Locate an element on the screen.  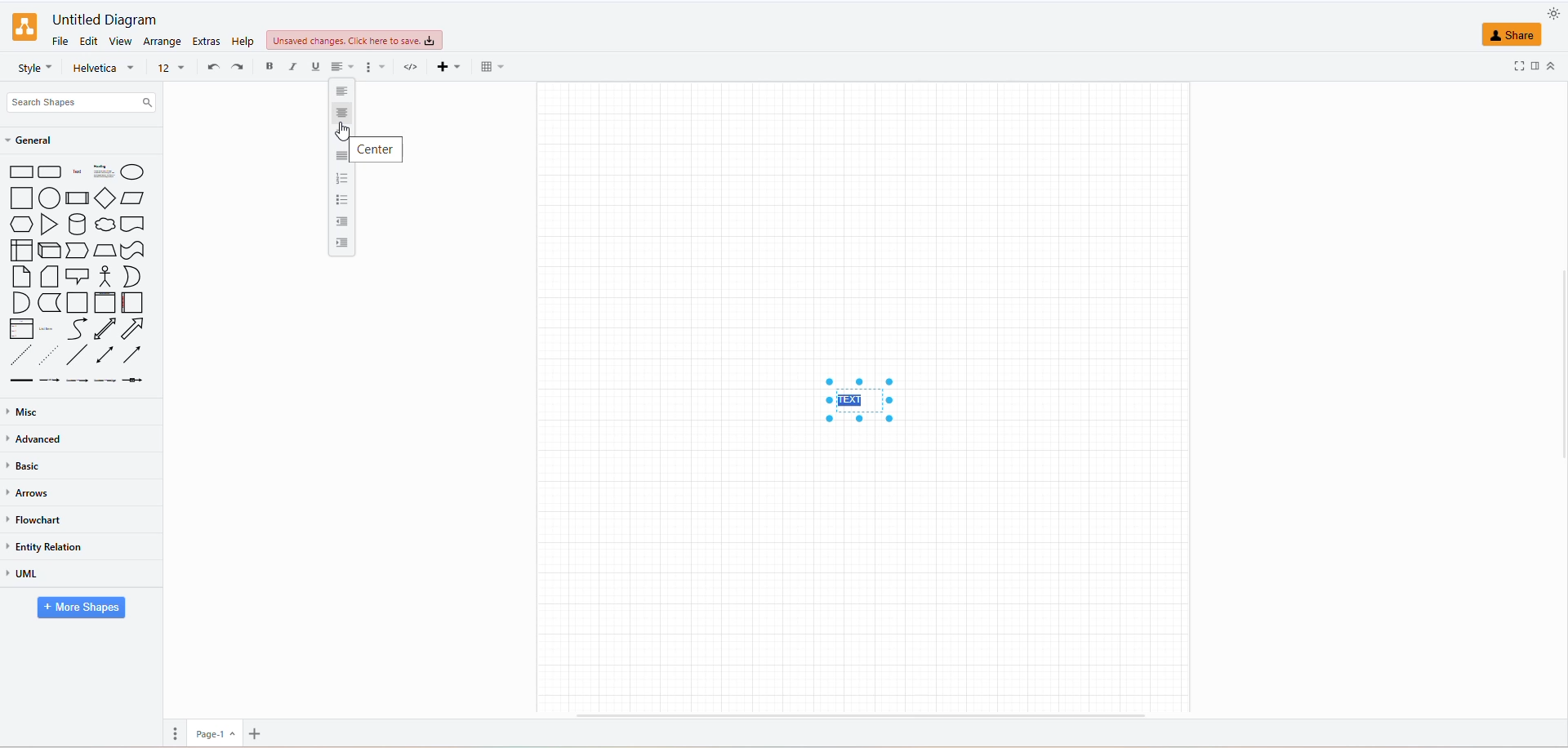
right align is located at coordinates (340, 114).